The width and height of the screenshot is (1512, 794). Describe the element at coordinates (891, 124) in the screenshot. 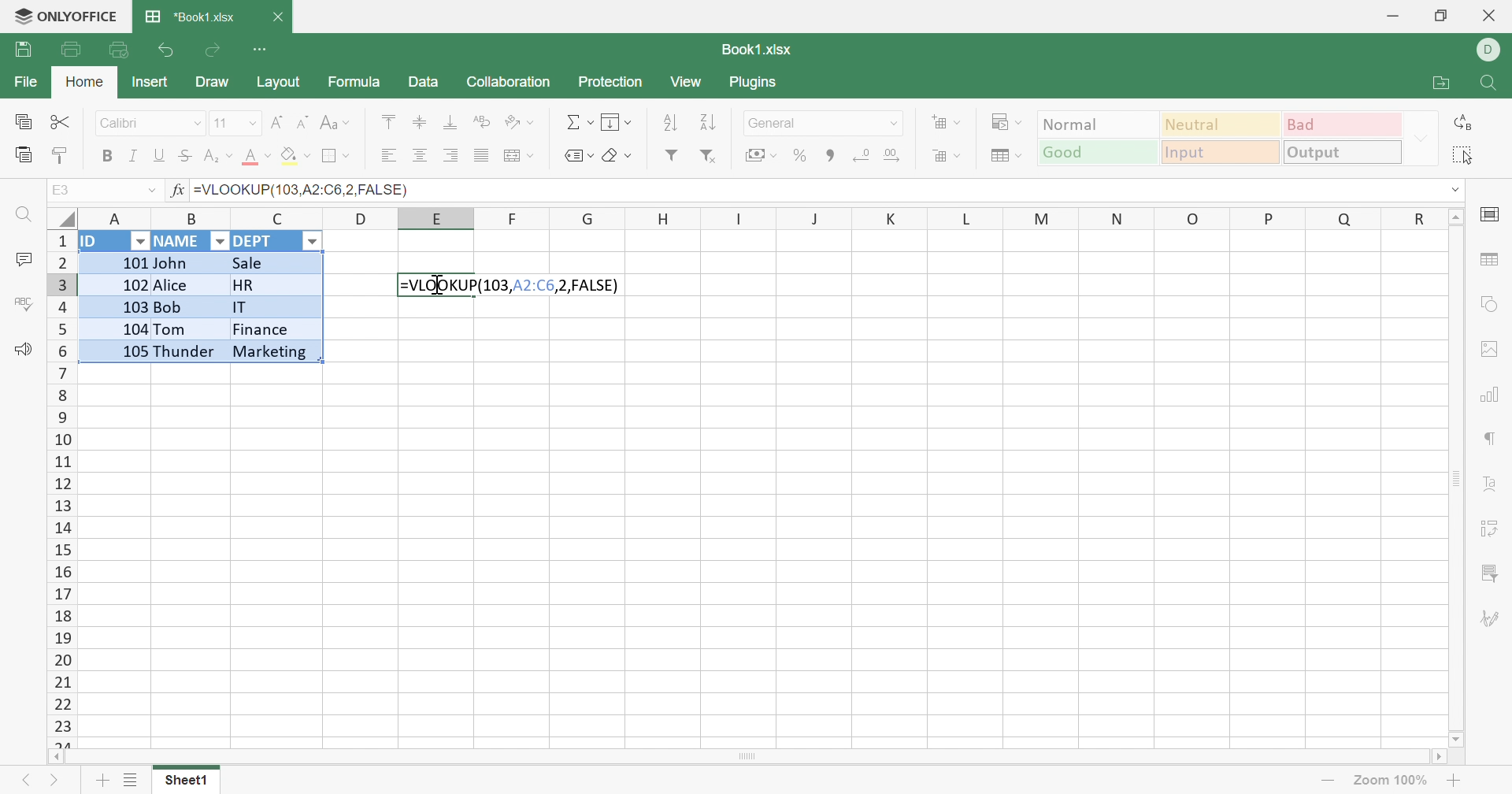

I see `Drop Down` at that location.